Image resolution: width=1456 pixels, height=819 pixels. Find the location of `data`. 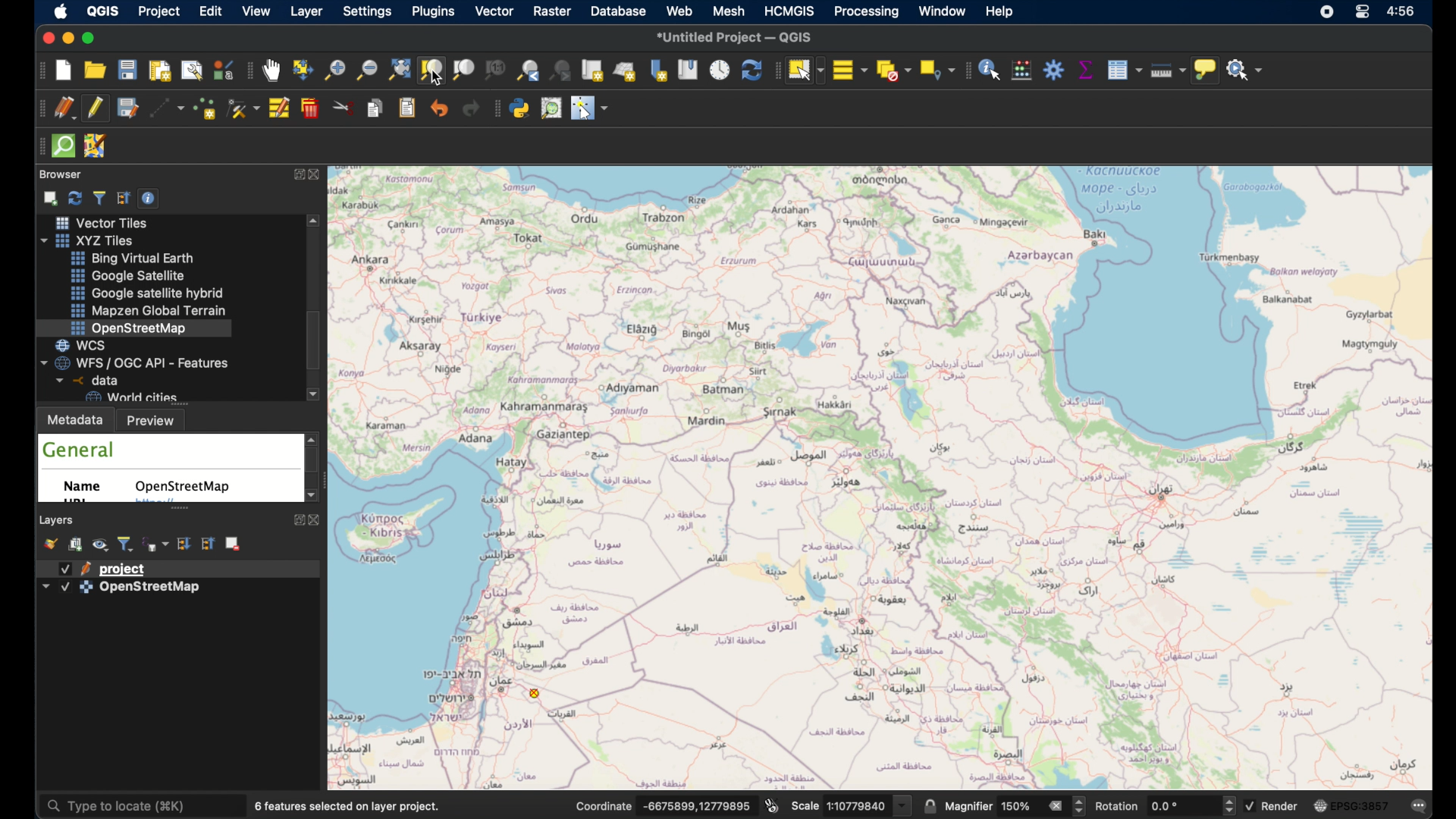

data is located at coordinates (84, 380).